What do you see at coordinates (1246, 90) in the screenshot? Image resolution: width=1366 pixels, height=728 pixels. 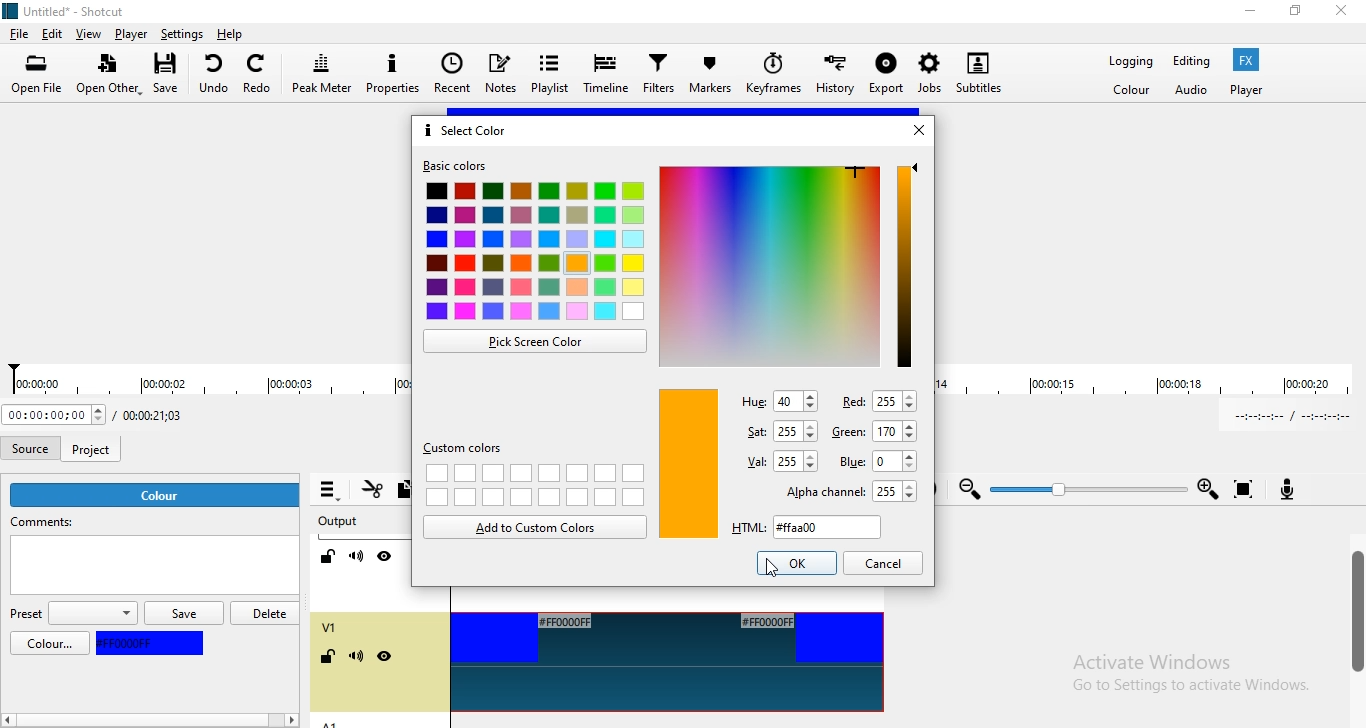 I see `player` at bounding box center [1246, 90].